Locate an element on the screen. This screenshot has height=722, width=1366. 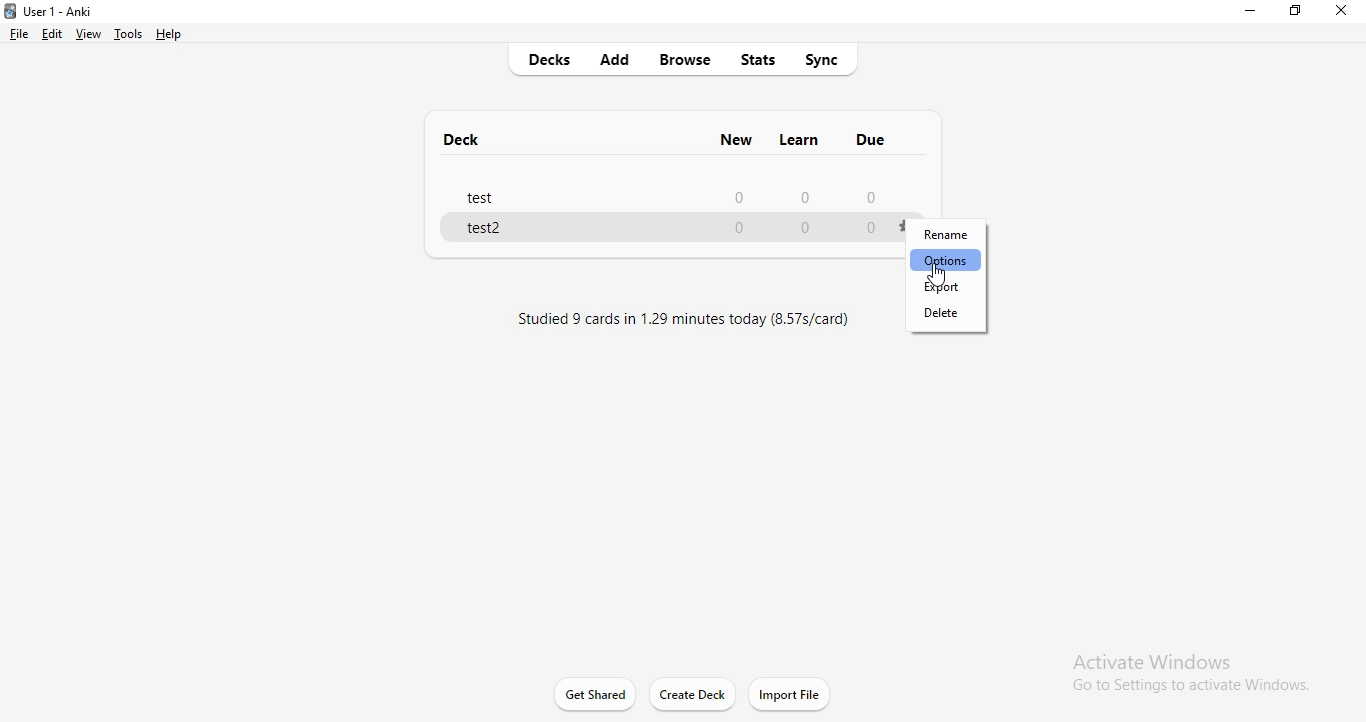
 is located at coordinates (759, 60).